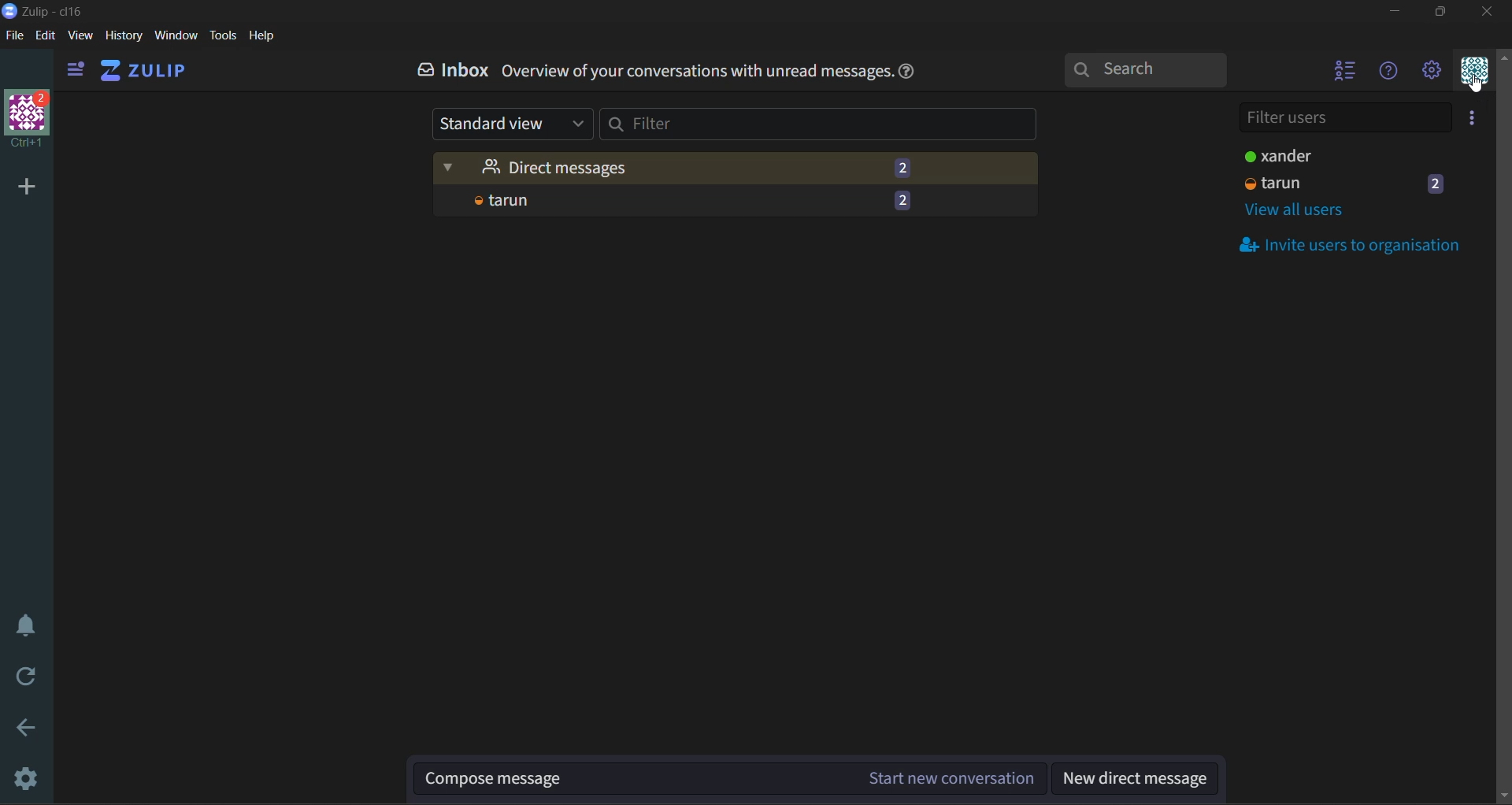  What do you see at coordinates (26, 730) in the screenshot?
I see `go back` at bounding box center [26, 730].